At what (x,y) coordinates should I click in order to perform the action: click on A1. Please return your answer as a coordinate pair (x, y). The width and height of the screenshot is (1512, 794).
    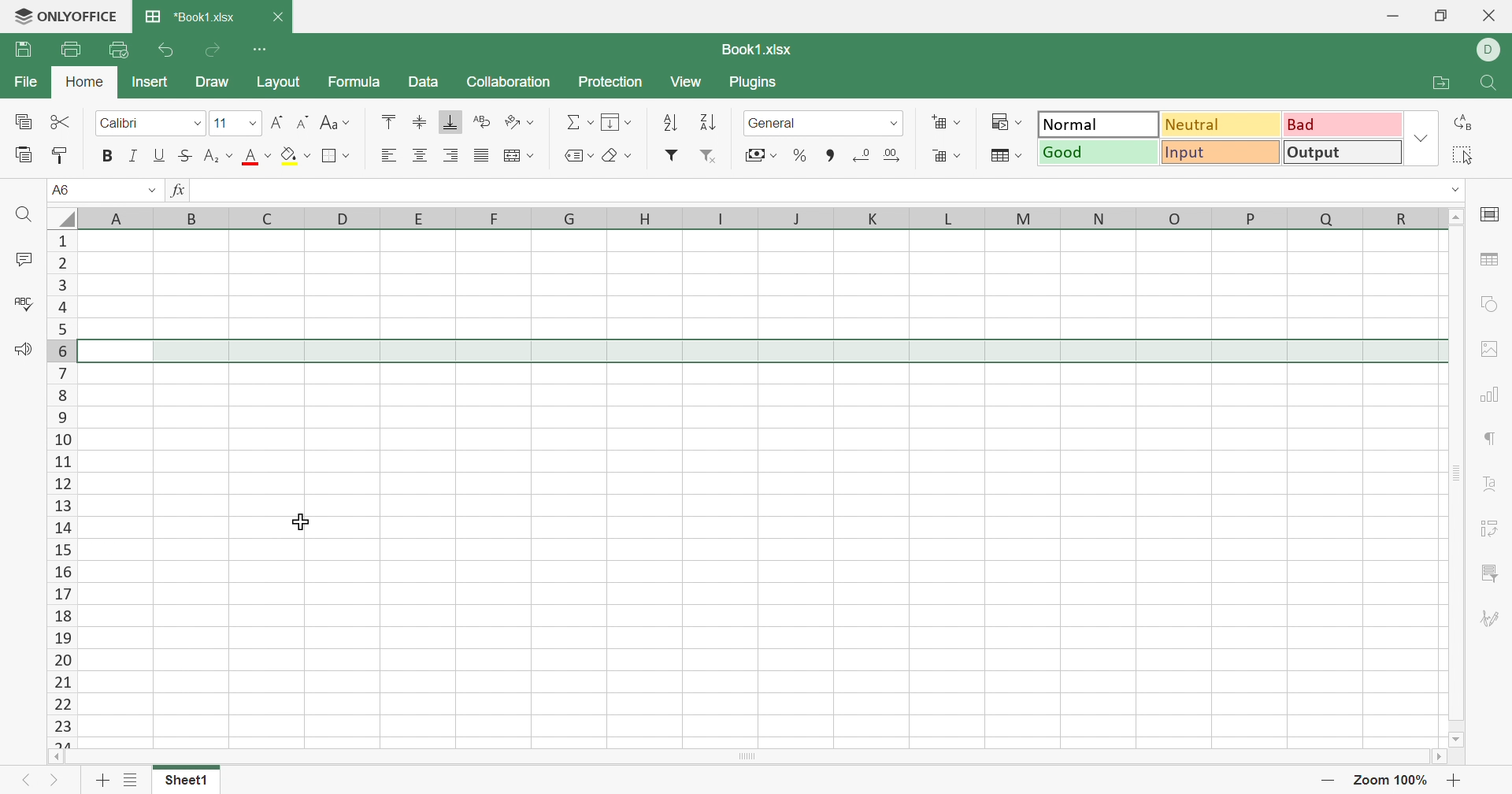
    Looking at the image, I should click on (65, 190).